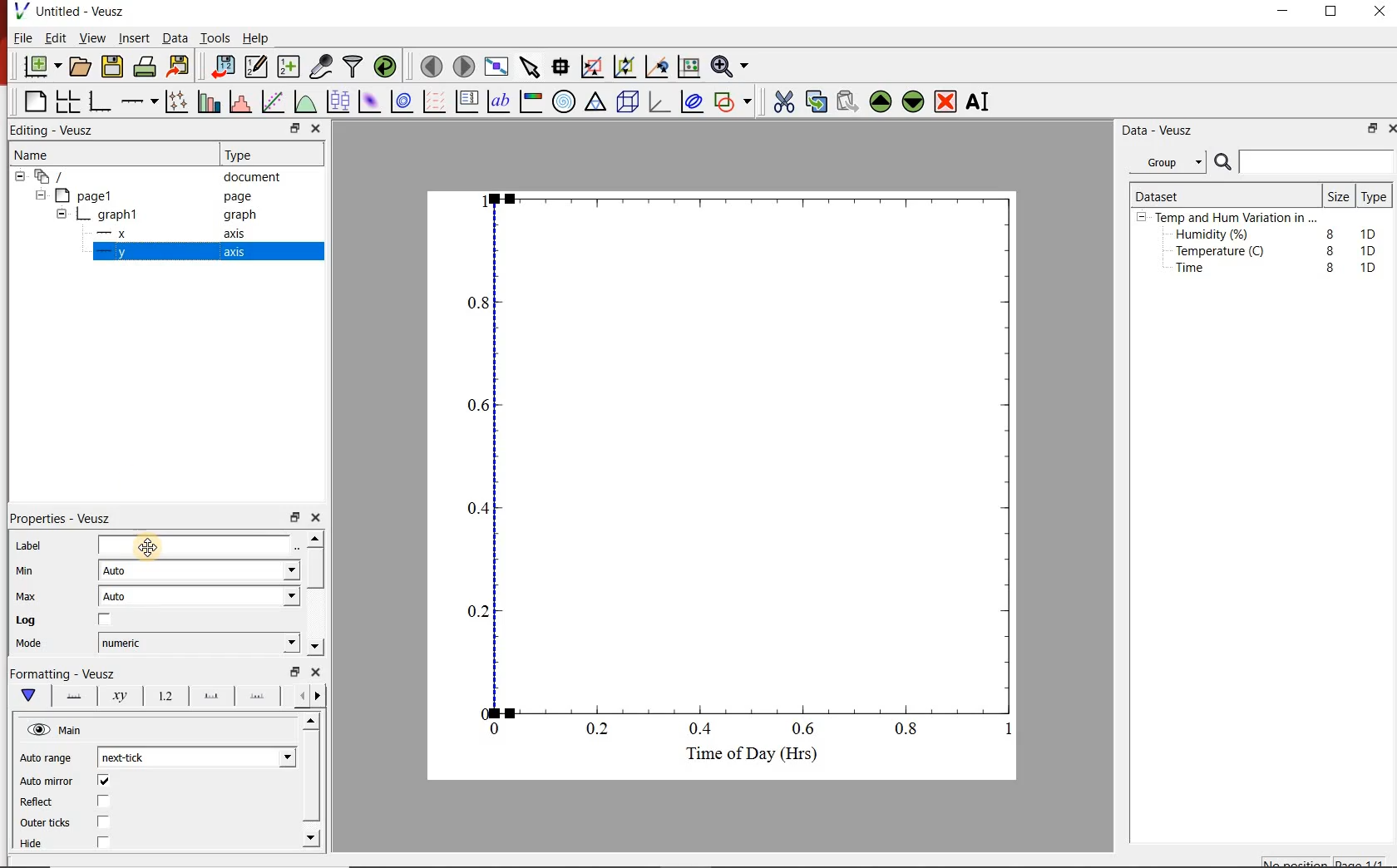  What do you see at coordinates (249, 155) in the screenshot?
I see `Type` at bounding box center [249, 155].